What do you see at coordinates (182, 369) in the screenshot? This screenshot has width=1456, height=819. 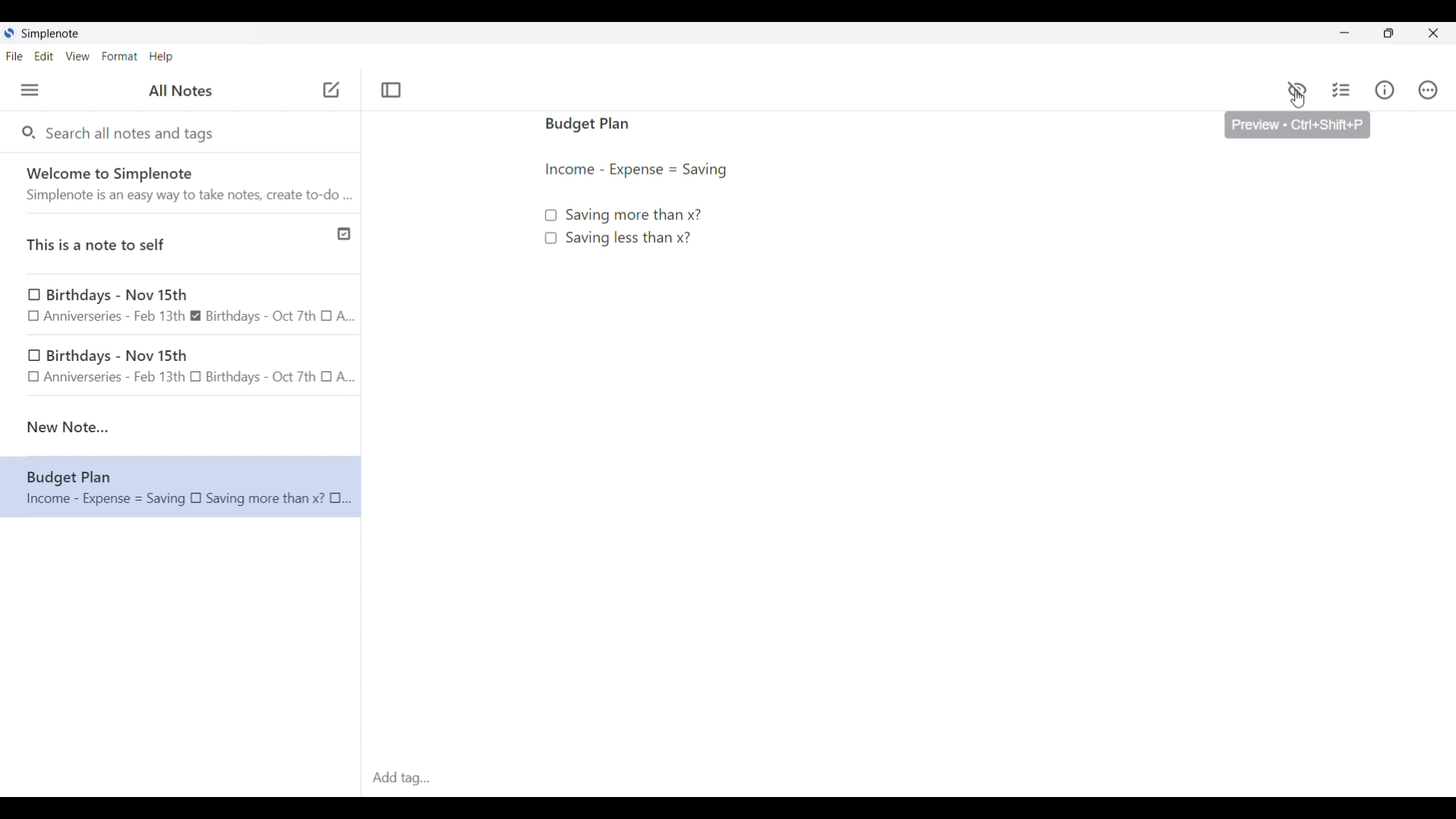 I see `birthday note` at bounding box center [182, 369].